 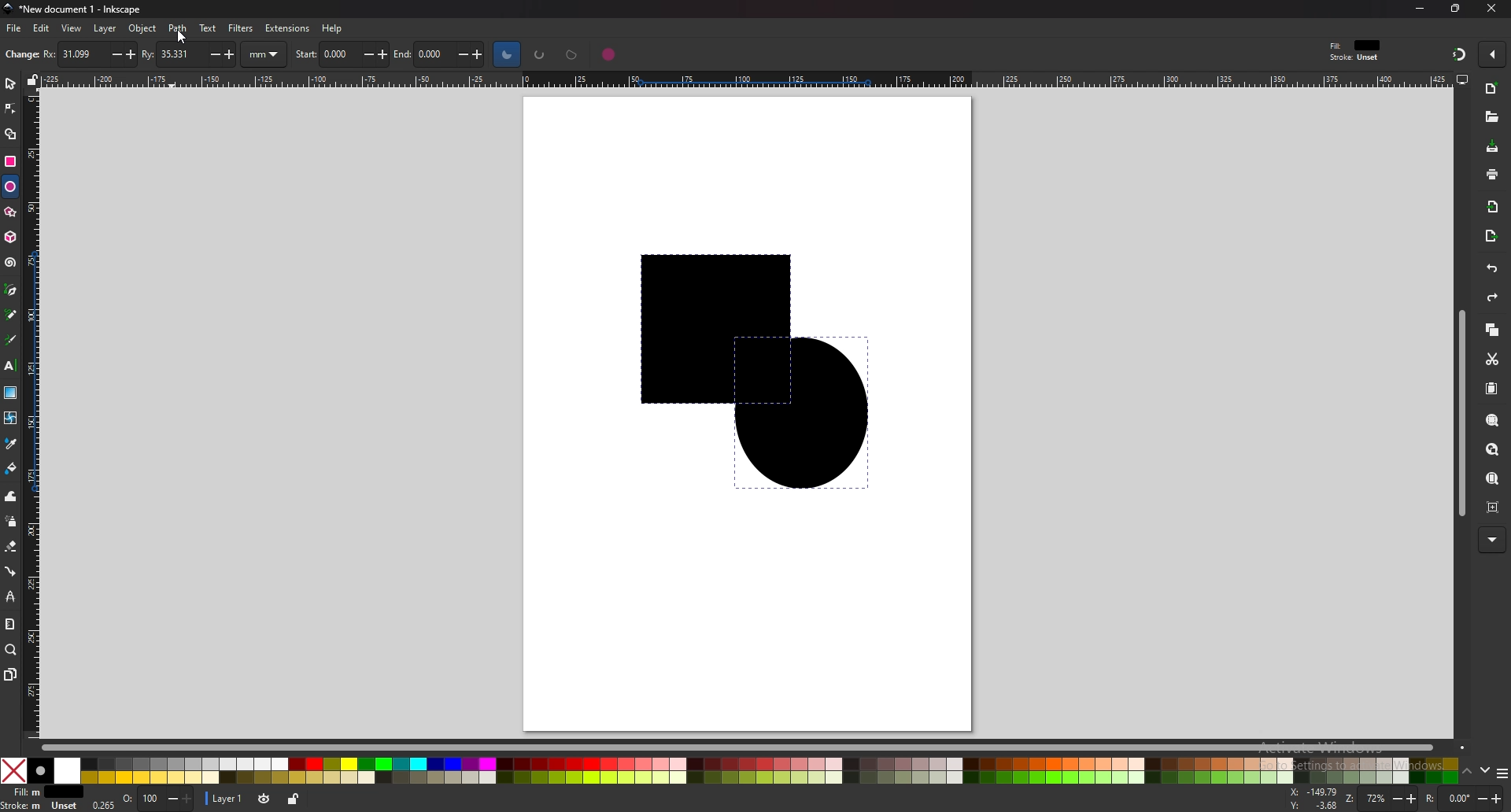 What do you see at coordinates (507, 54) in the screenshot?
I see `slice` at bounding box center [507, 54].